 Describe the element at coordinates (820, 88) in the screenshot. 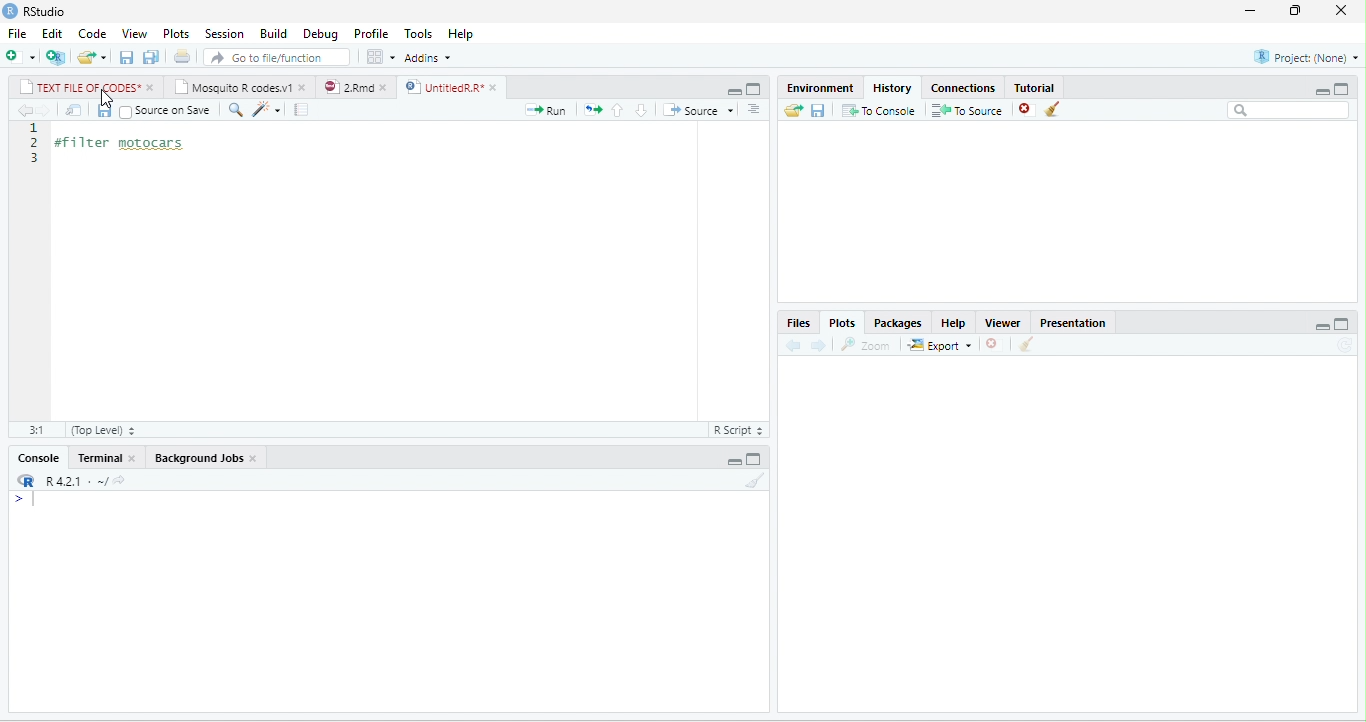

I see `Environment` at that location.